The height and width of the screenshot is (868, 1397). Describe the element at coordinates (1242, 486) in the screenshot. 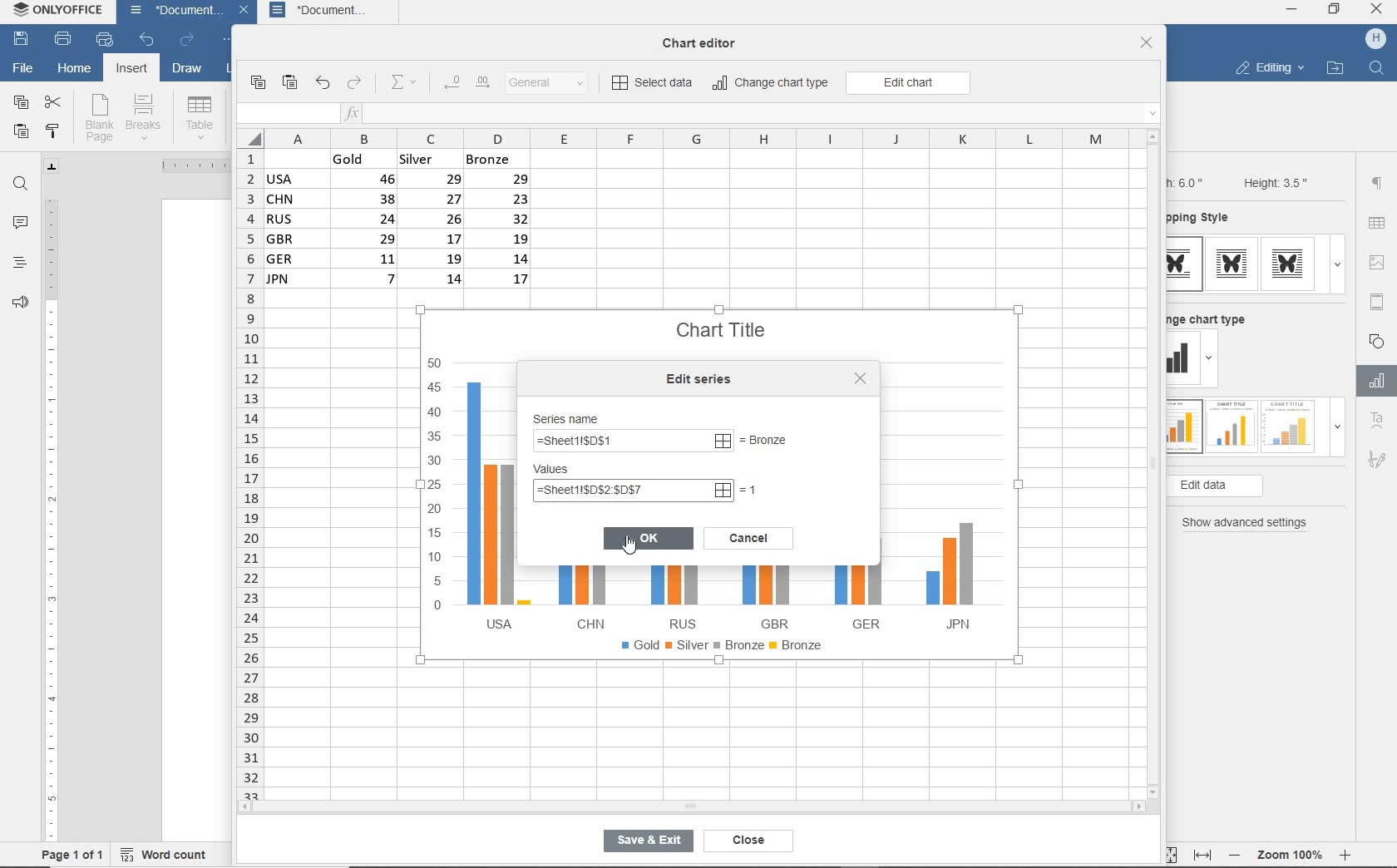

I see `edit data` at that location.